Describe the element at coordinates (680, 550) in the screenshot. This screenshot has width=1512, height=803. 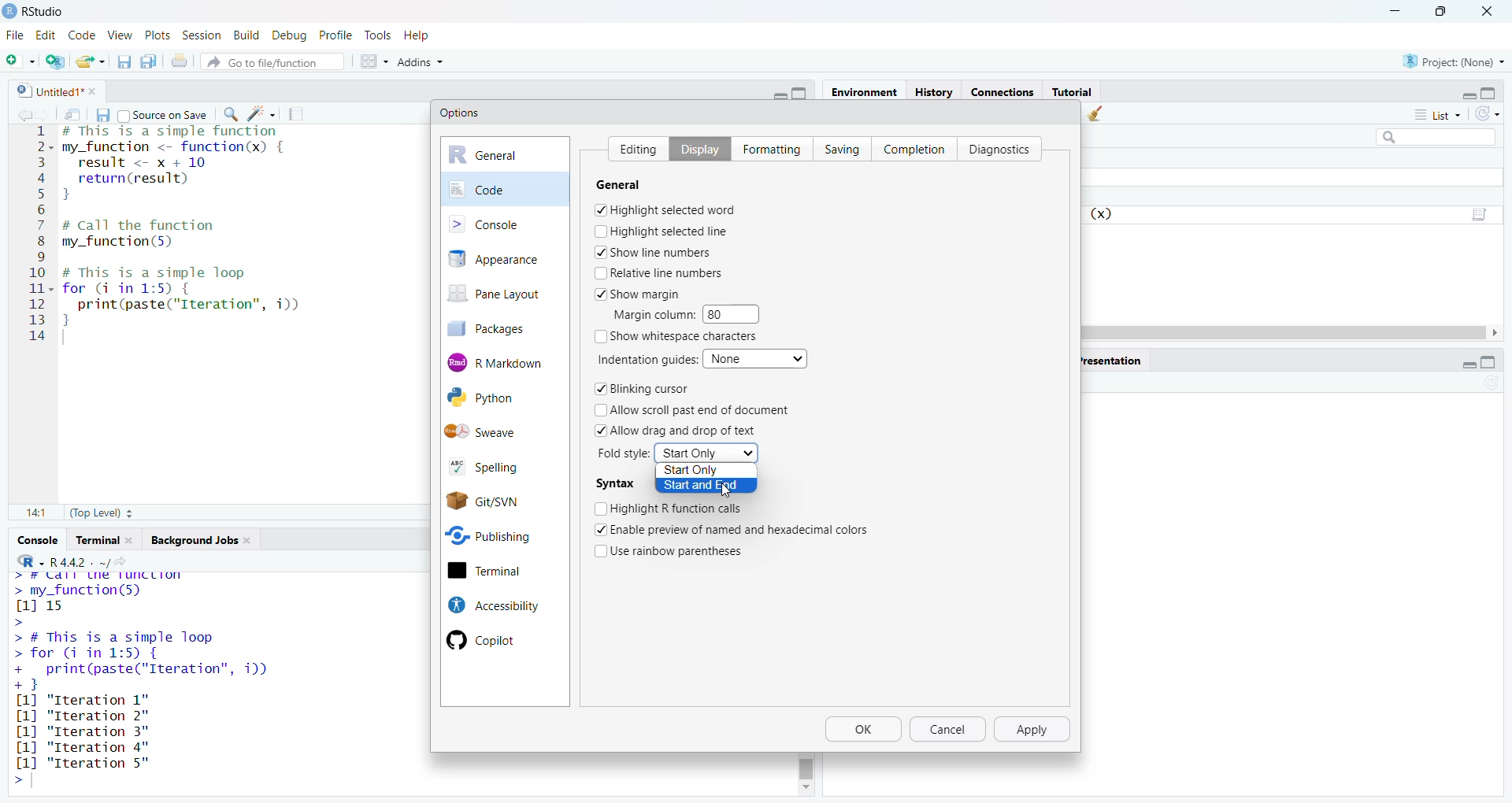
I see `use rainbow parenthesis` at that location.